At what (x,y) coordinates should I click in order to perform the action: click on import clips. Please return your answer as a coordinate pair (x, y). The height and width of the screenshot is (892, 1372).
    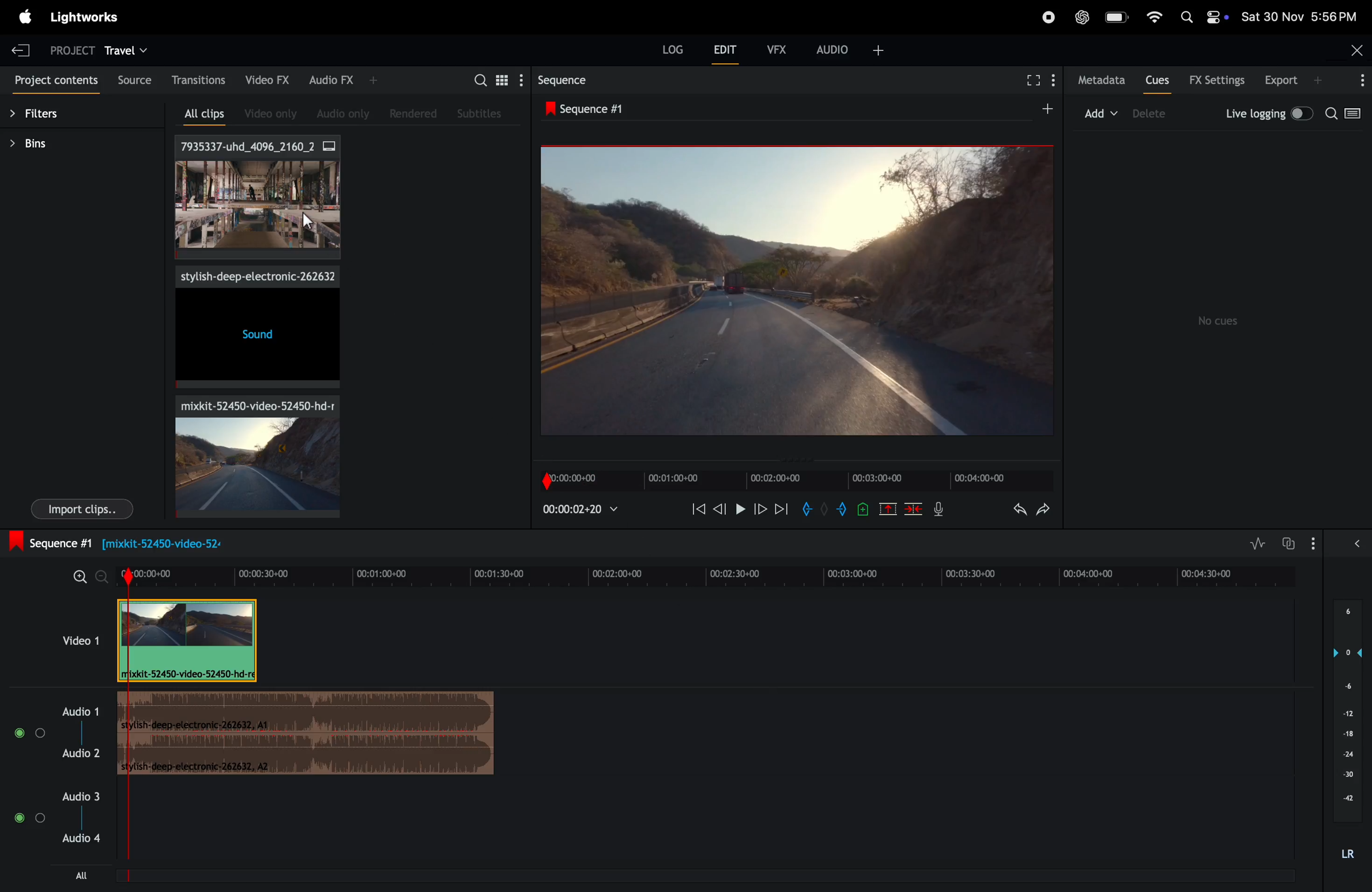
    Looking at the image, I should click on (82, 510).